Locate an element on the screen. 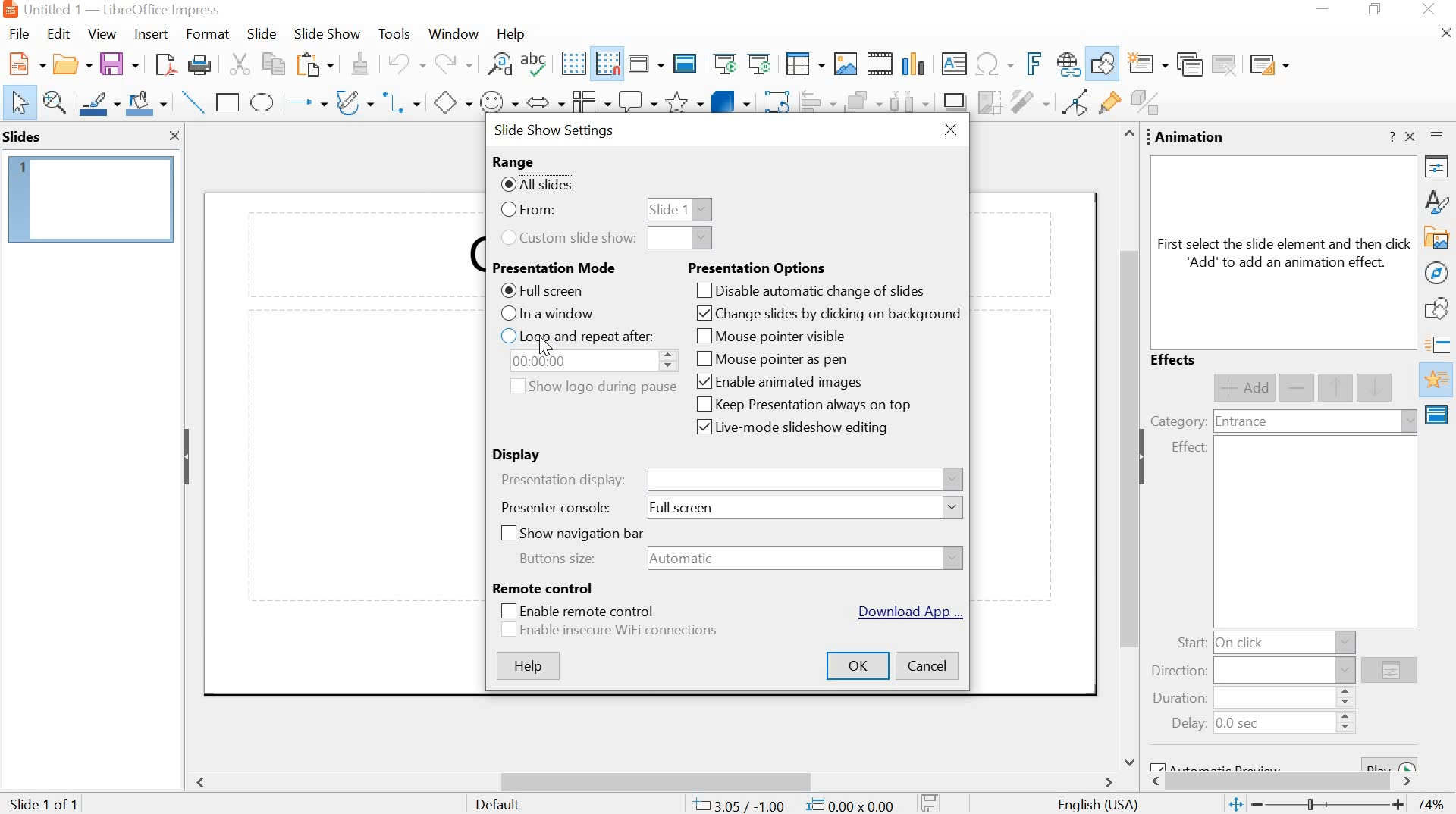 This screenshot has width=1456, height=814. 0.0 sec is located at coordinates (1239, 725).